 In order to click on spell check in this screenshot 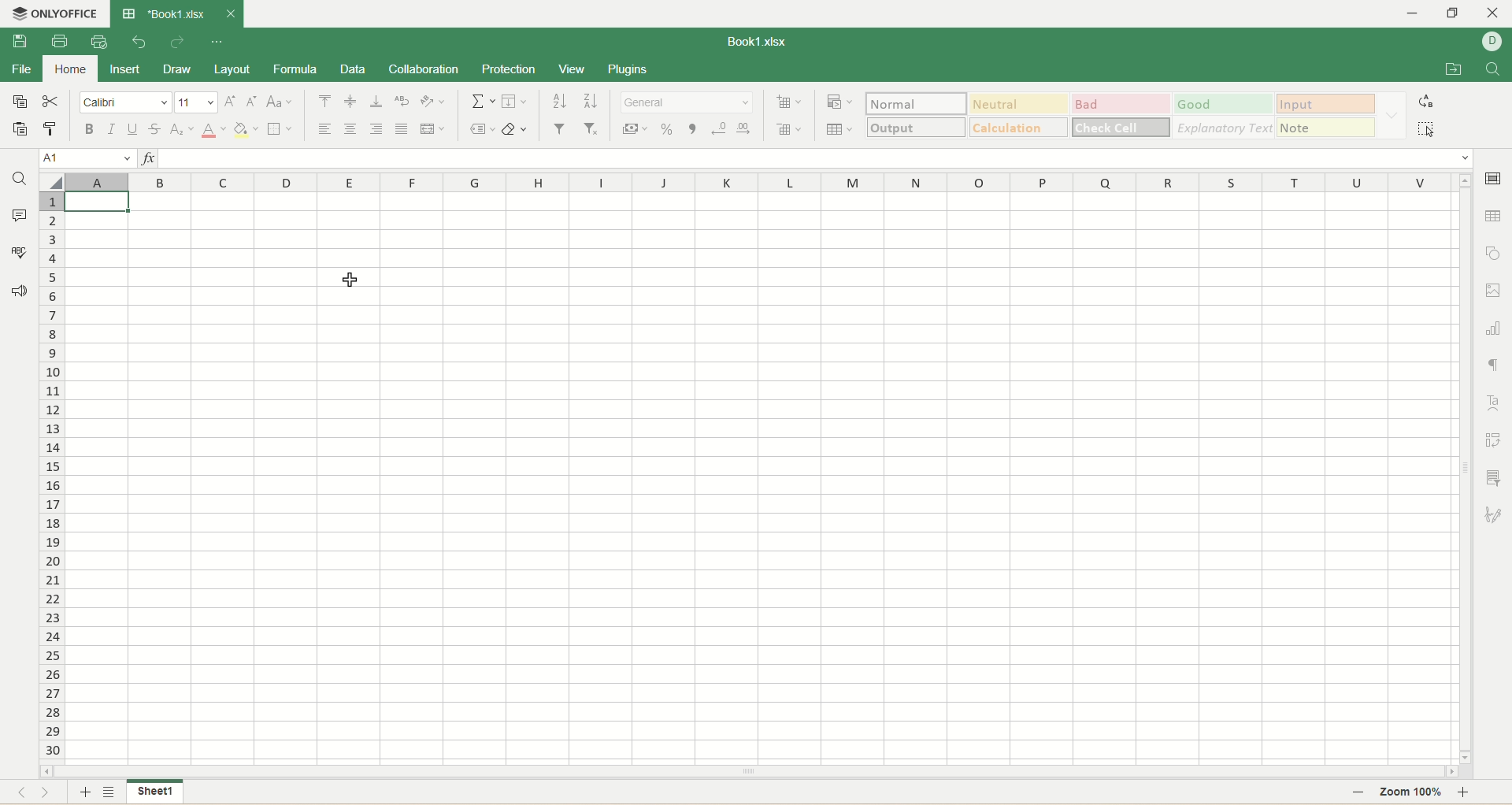, I will do `click(20, 254)`.